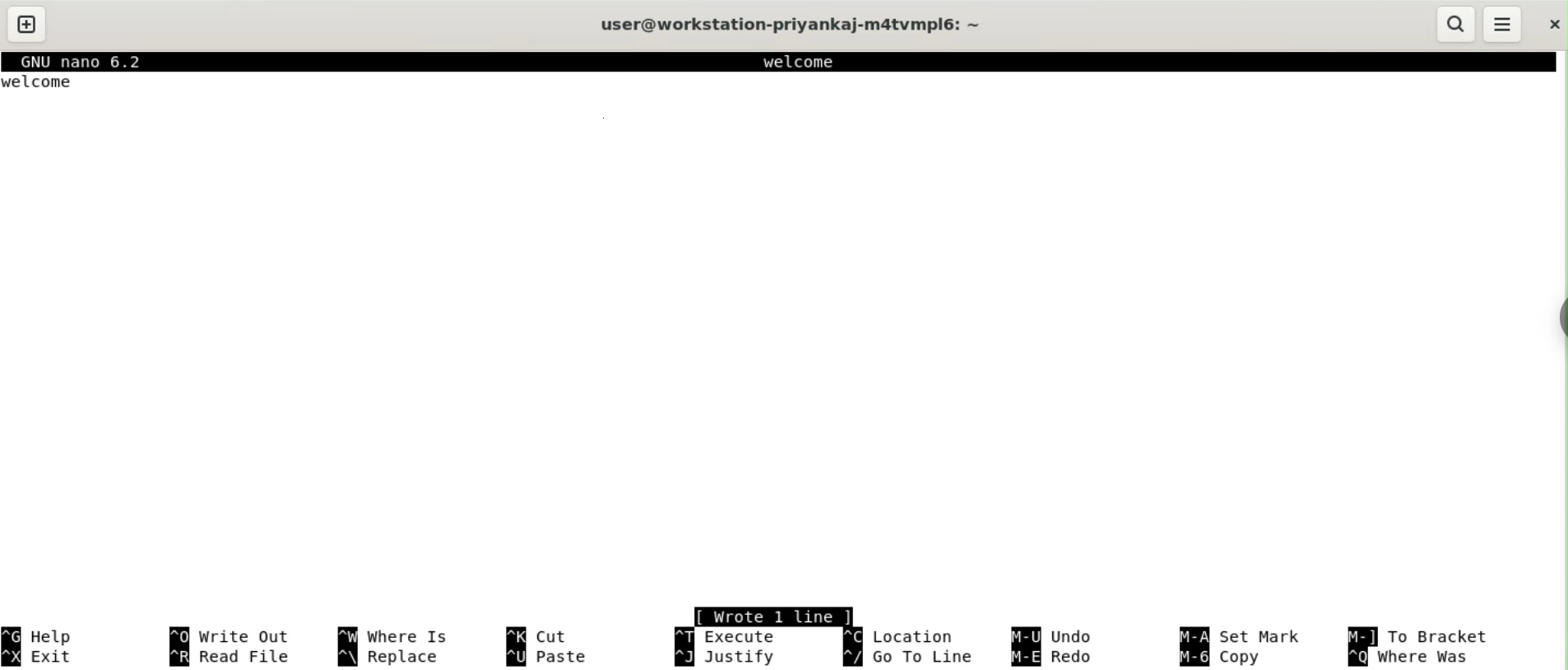 This screenshot has height=670, width=1568. What do you see at coordinates (911, 657) in the screenshot?
I see `go to line` at bounding box center [911, 657].